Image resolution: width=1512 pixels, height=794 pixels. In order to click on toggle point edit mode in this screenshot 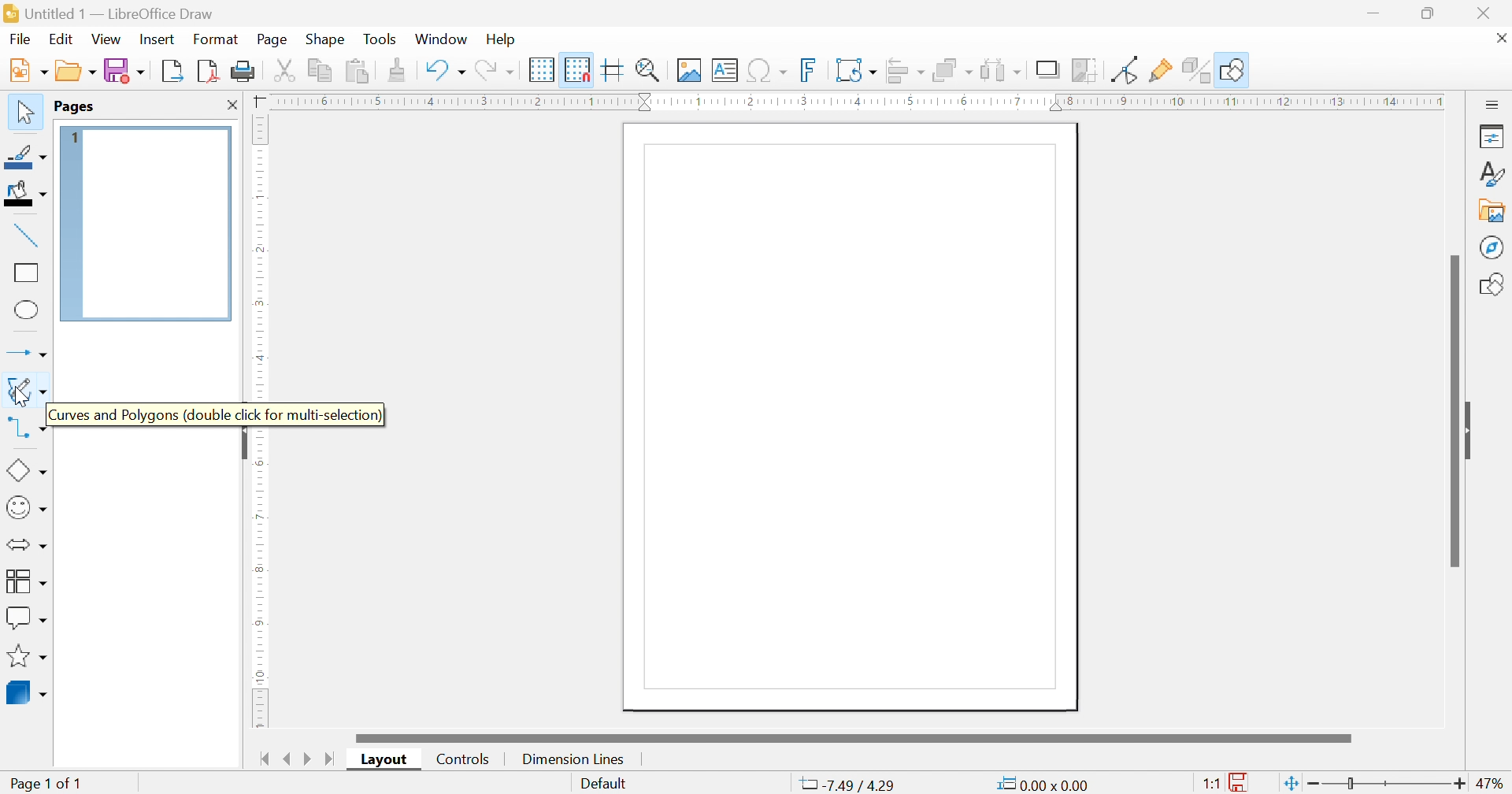, I will do `click(1128, 69)`.